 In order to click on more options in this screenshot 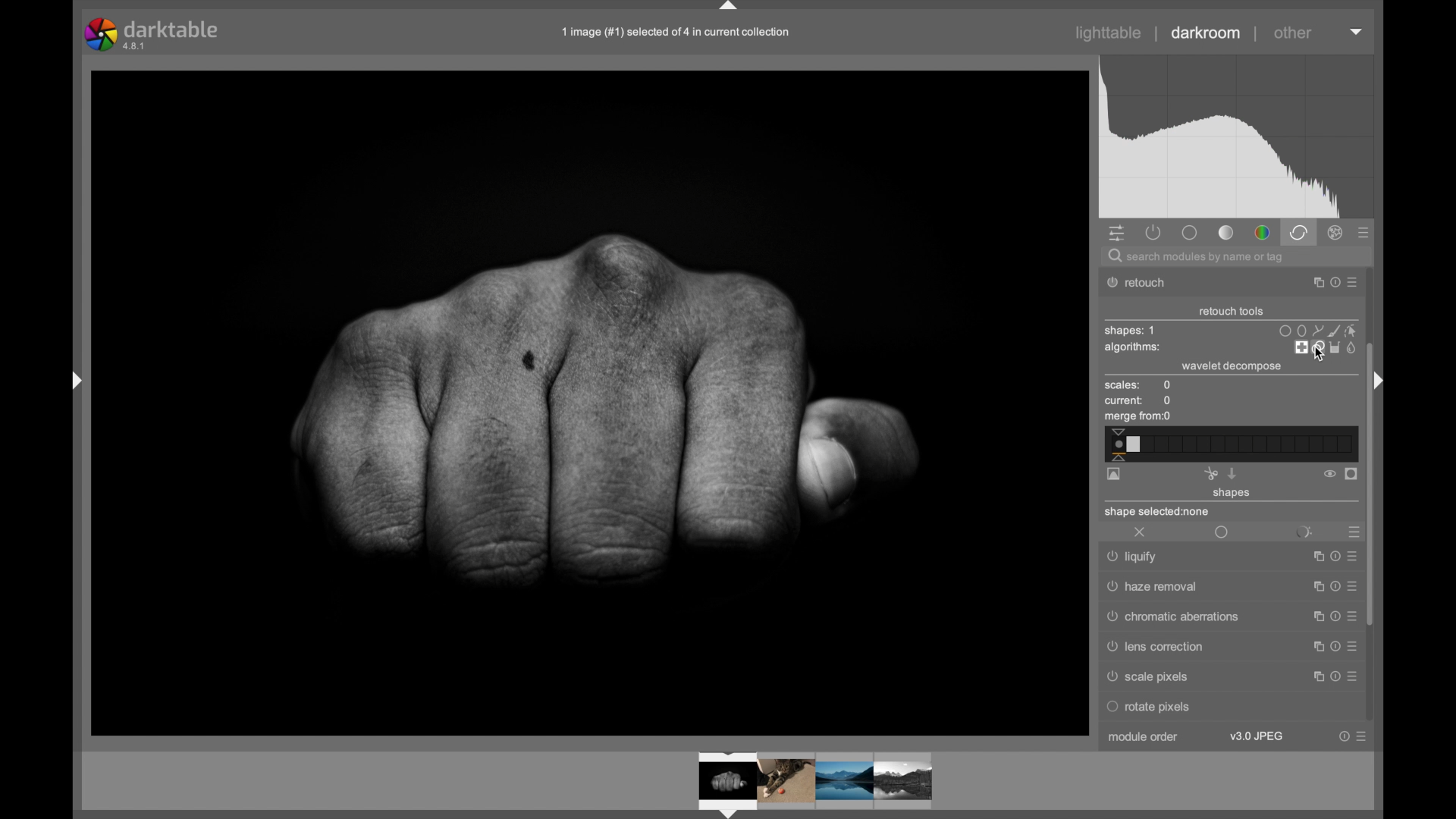, I will do `click(1352, 585)`.